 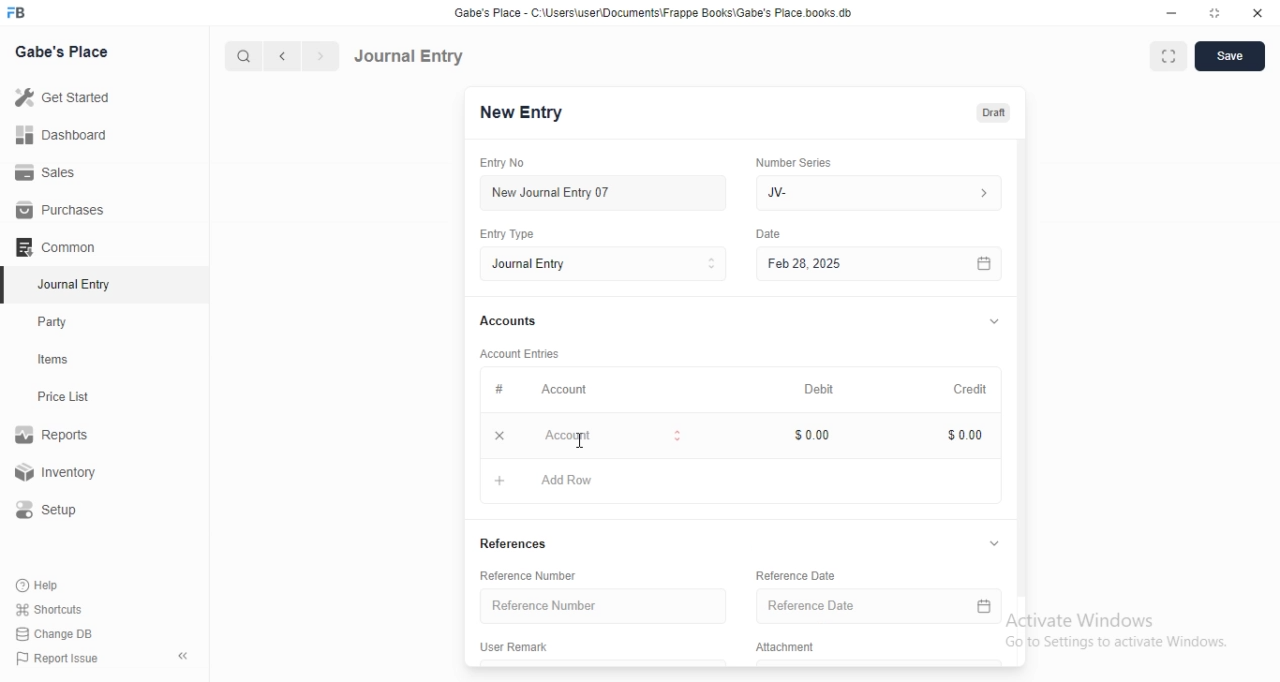 I want to click on Inventory, so click(x=59, y=474).